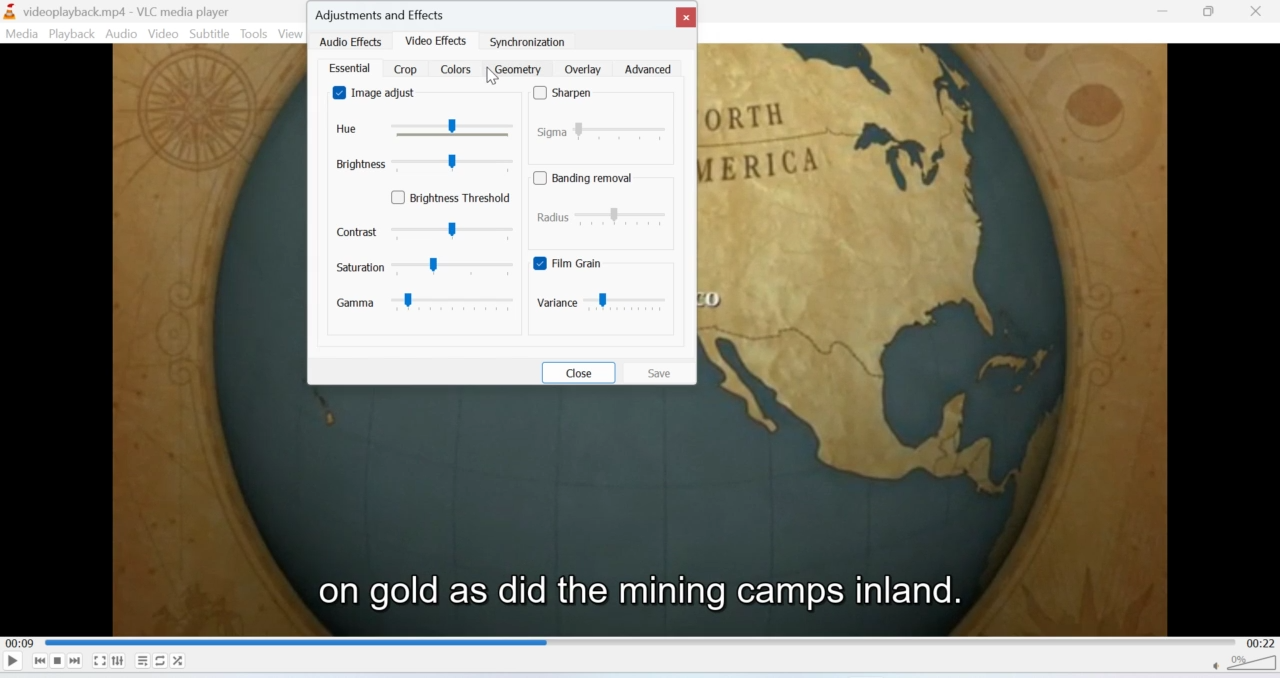 The height and width of the screenshot is (678, 1280). Describe the element at coordinates (494, 77) in the screenshot. I see `cursor` at that location.